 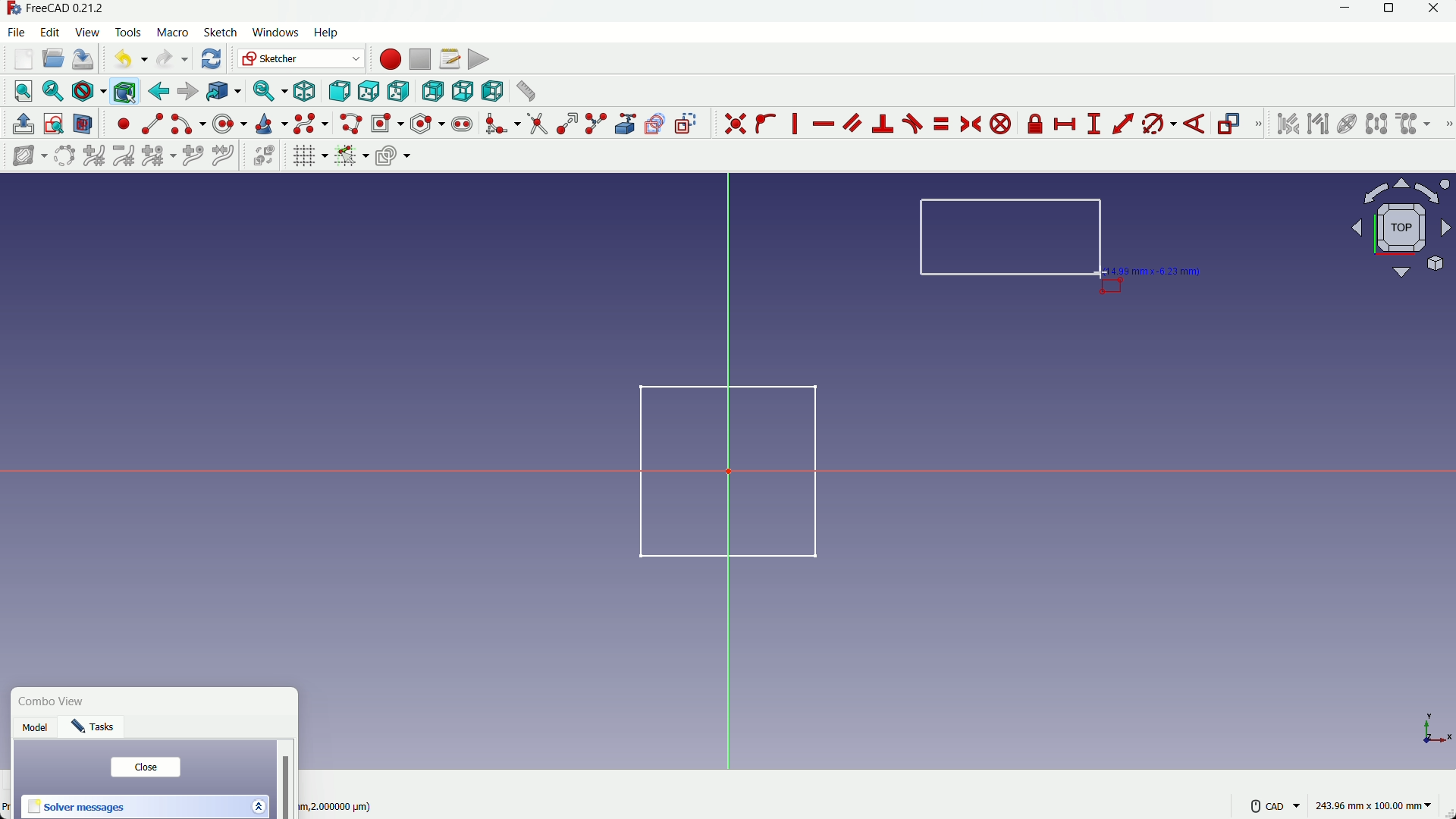 I want to click on constraint arc or circle, so click(x=1155, y=127).